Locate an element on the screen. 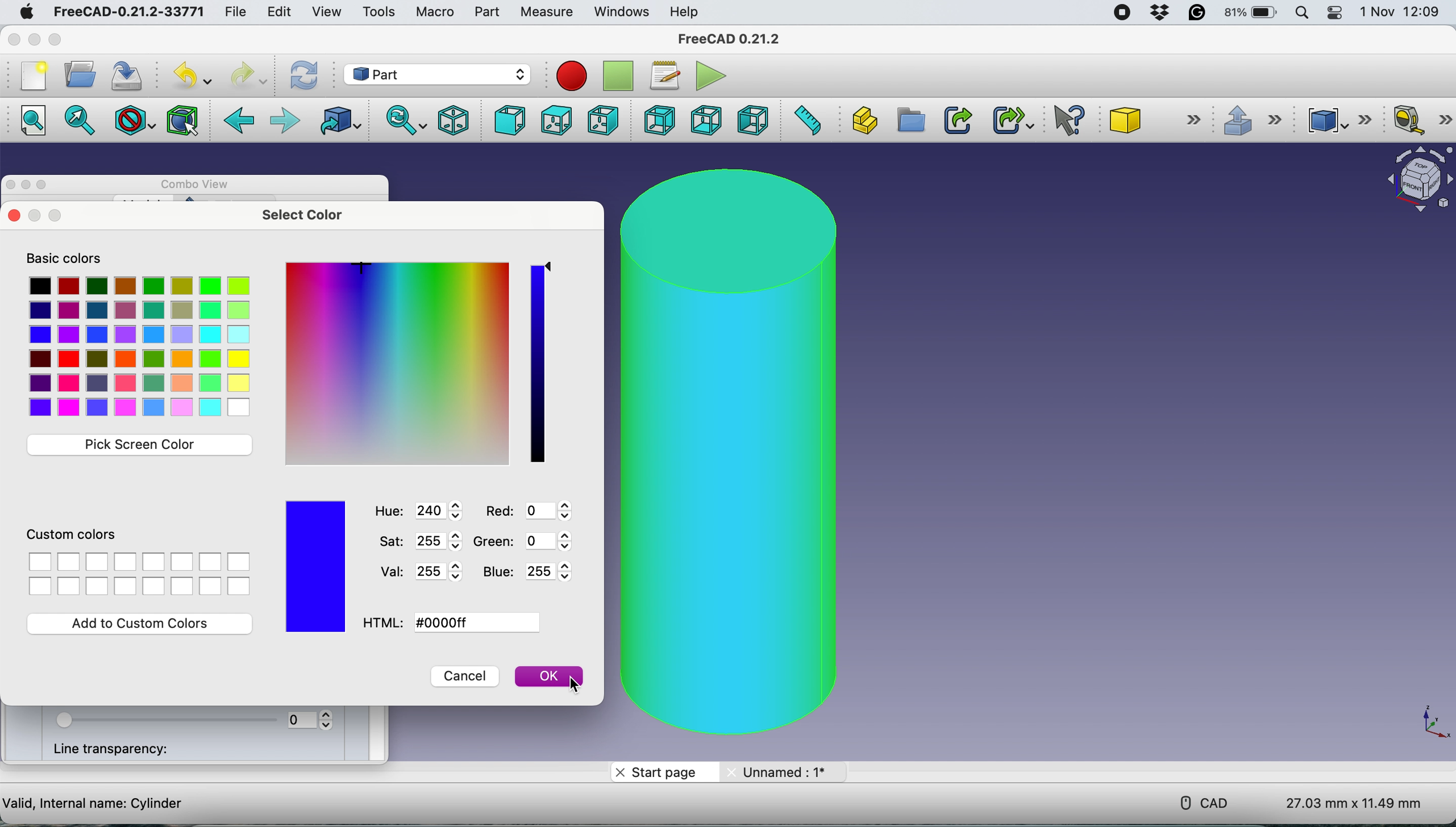 Image resolution: width=1456 pixels, height=827 pixels. edit is located at coordinates (282, 13).